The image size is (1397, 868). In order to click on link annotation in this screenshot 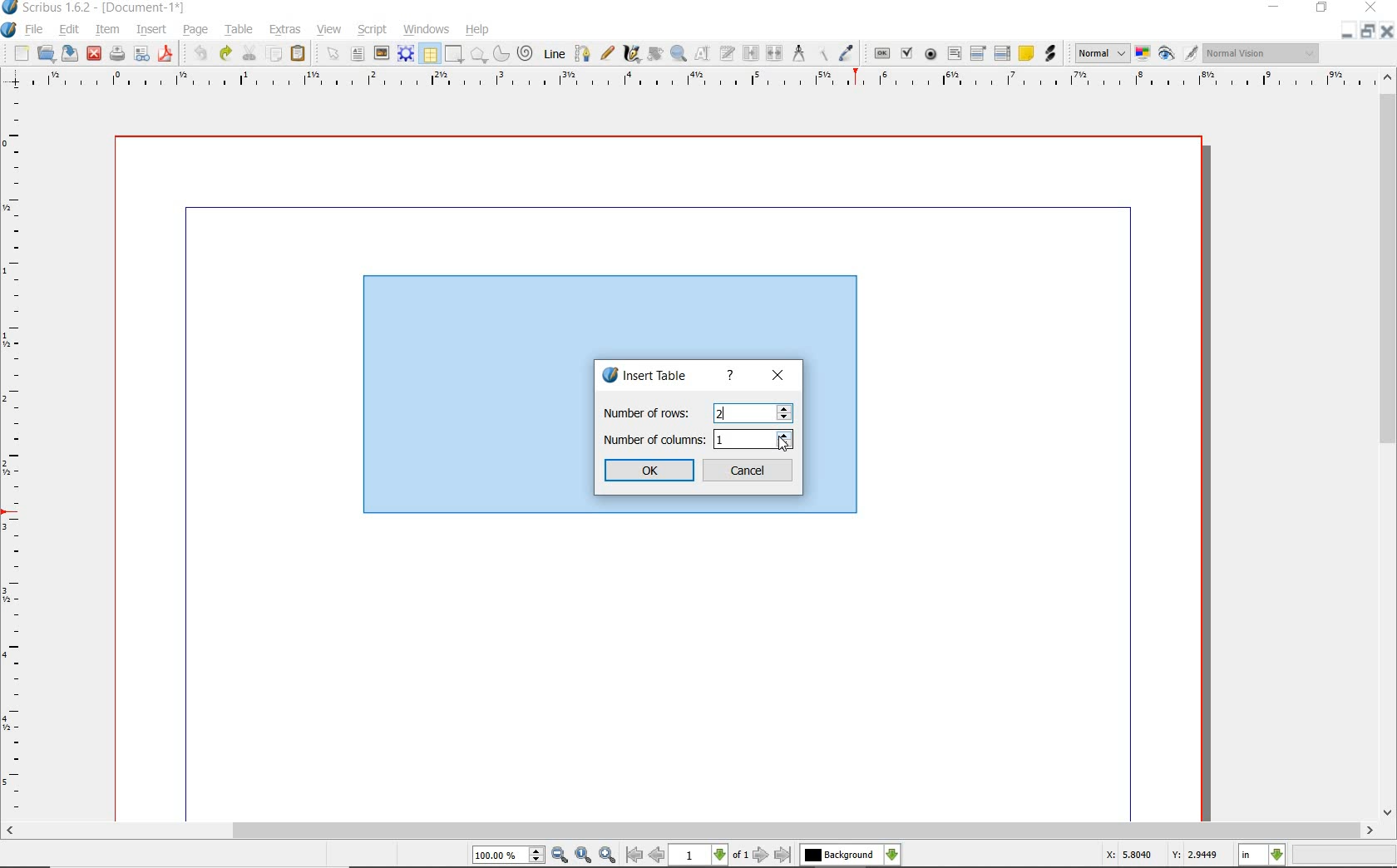, I will do `click(1049, 53)`.